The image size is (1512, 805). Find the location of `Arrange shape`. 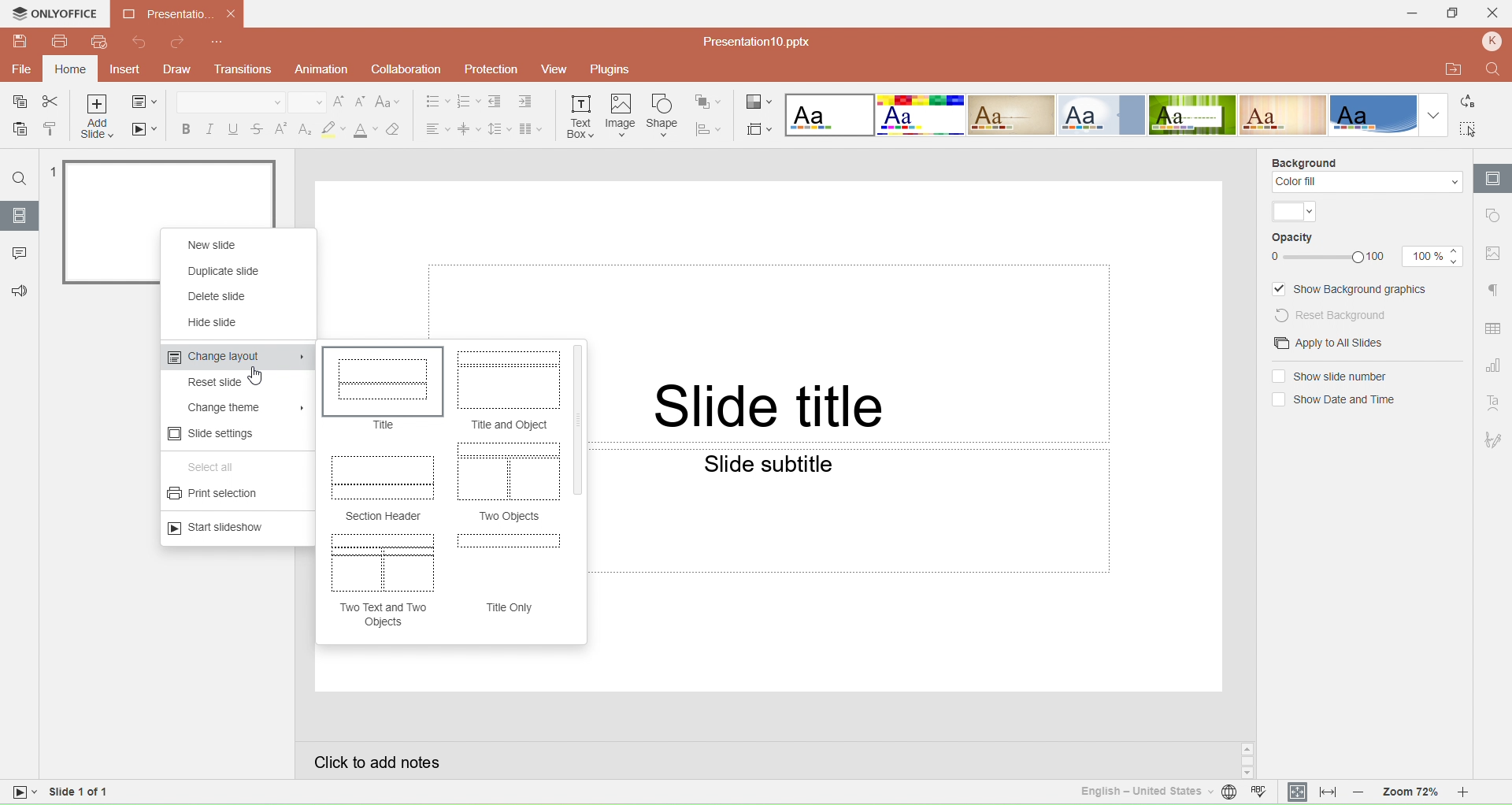

Arrange shape is located at coordinates (710, 100).